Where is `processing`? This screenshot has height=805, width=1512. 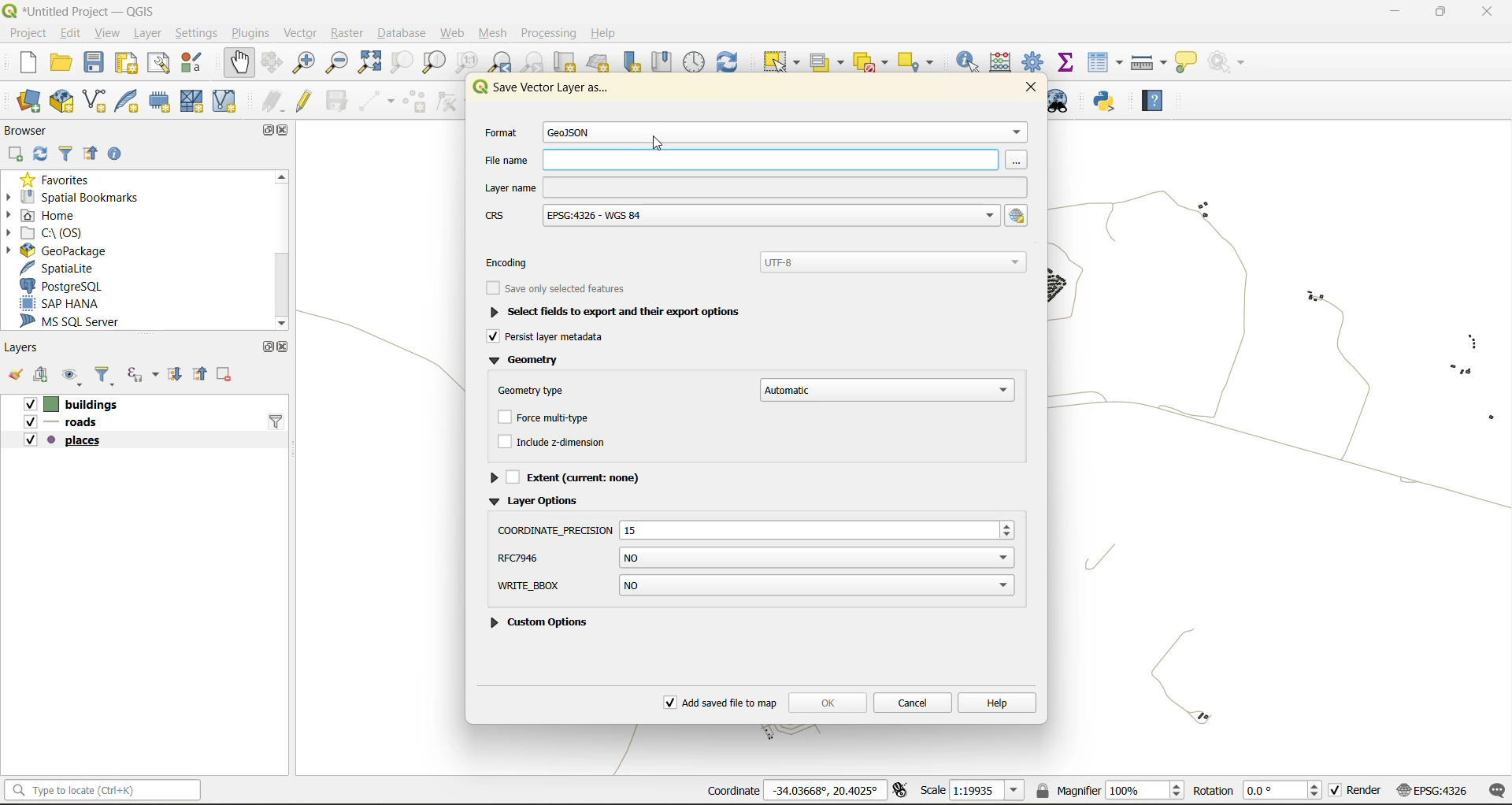 processing is located at coordinates (549, 30).